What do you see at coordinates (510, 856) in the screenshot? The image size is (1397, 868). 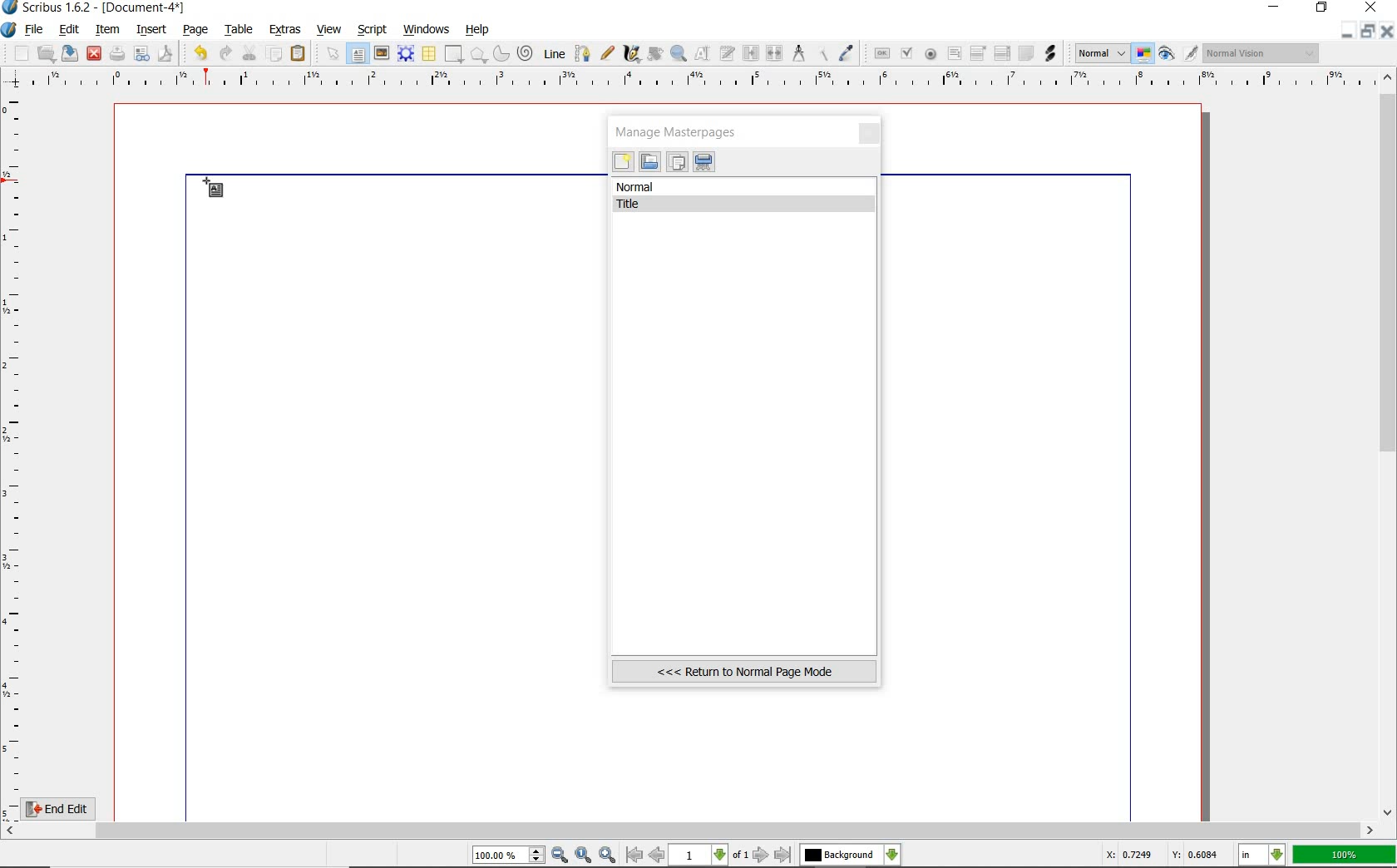 I see `100.00%` at bounding box center [510, 856].